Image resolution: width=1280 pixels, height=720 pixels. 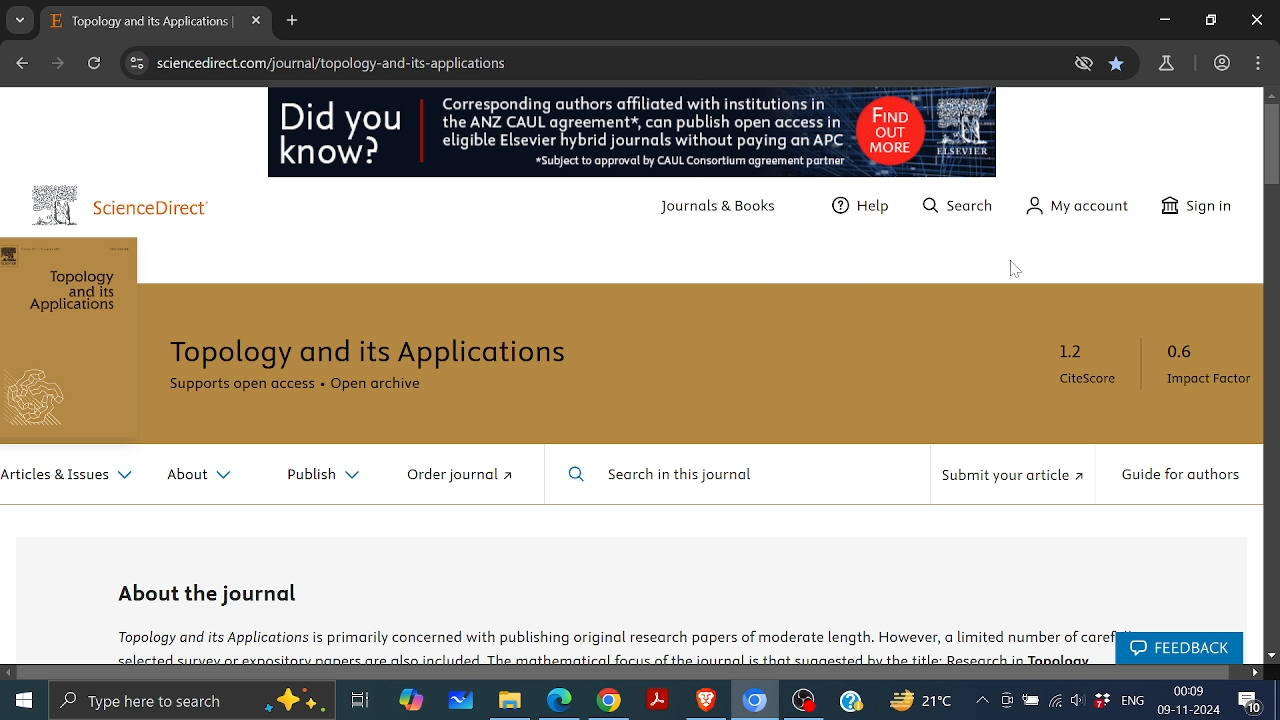 What do you see at coordinates (1211, 21) in the screenshot?
I see `maximize` at bounding box center [1211, 21].